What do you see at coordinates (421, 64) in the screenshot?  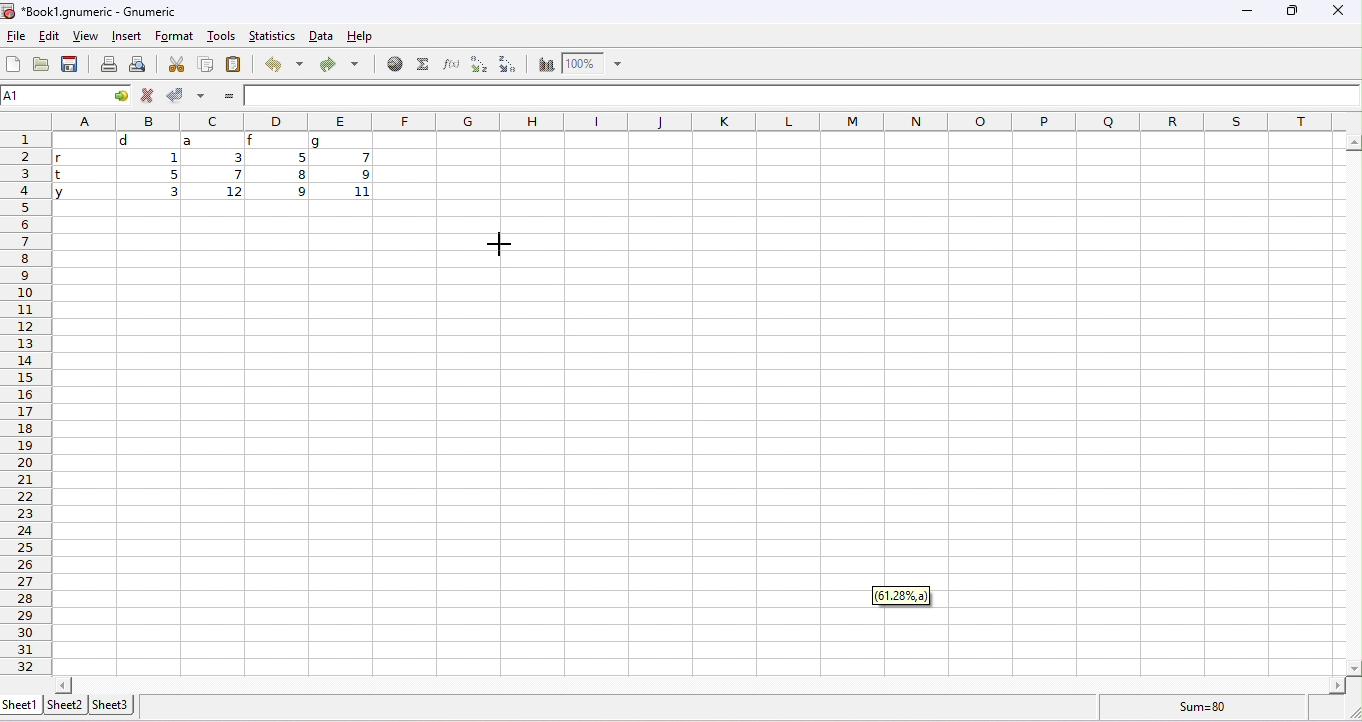 I see `select function` at bounding box center [421, 64].